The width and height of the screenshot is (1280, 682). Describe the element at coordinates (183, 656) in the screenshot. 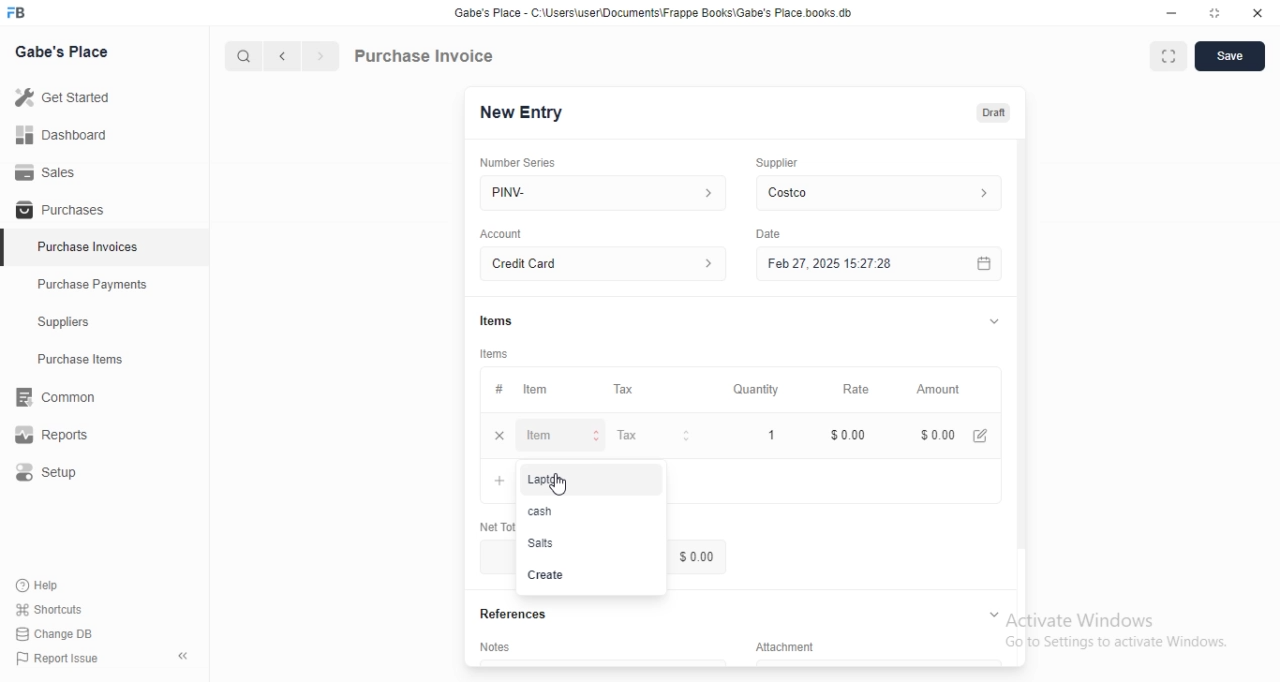

I see `Collapse` at that location.